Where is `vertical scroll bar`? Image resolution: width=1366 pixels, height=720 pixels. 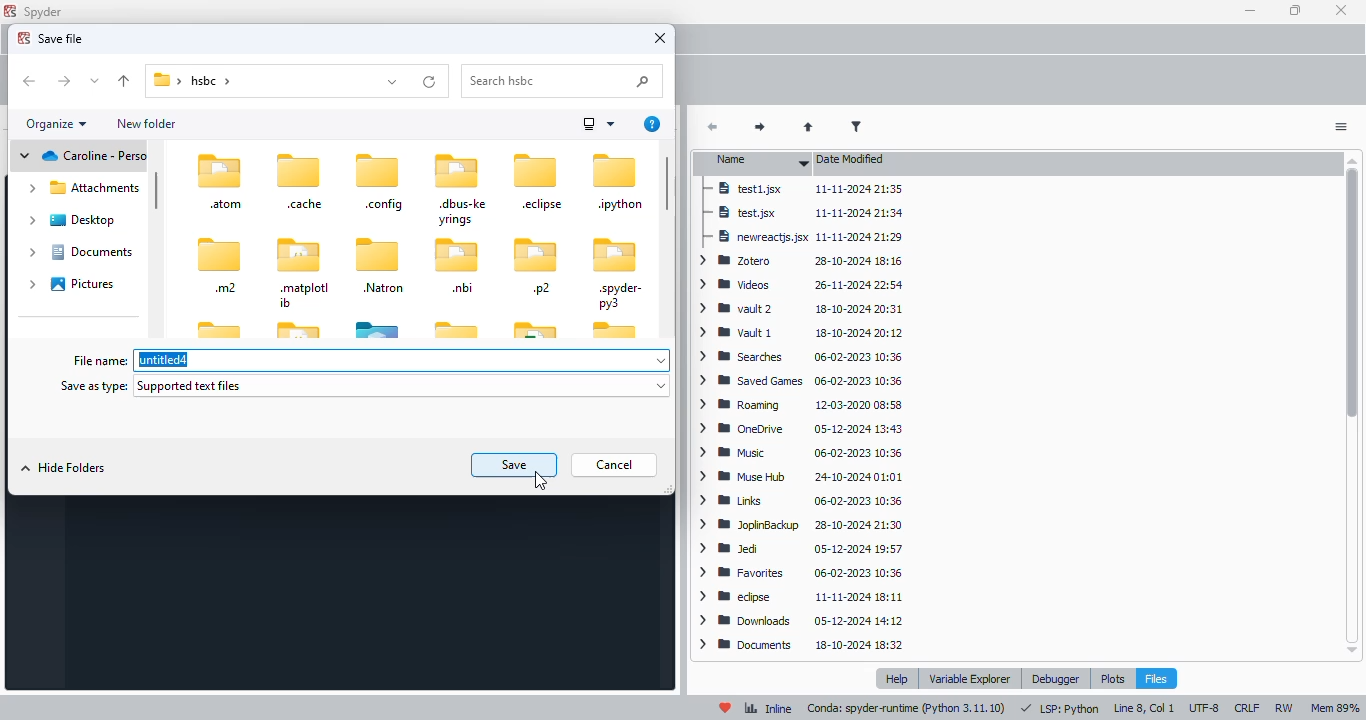 vertical scroll bar is located at coordinates (667, 184).